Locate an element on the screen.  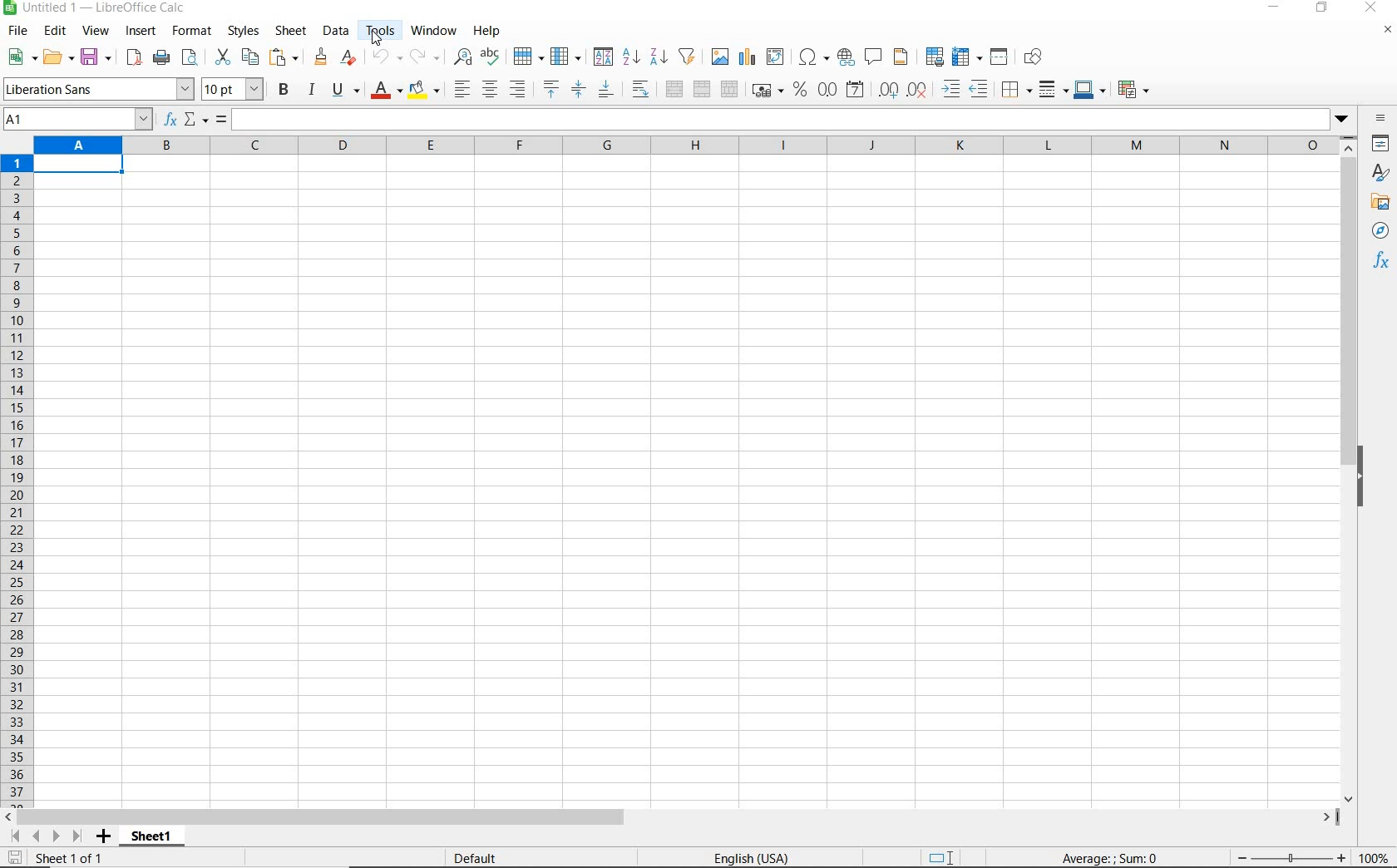
print is located at coordinates (160, 58).